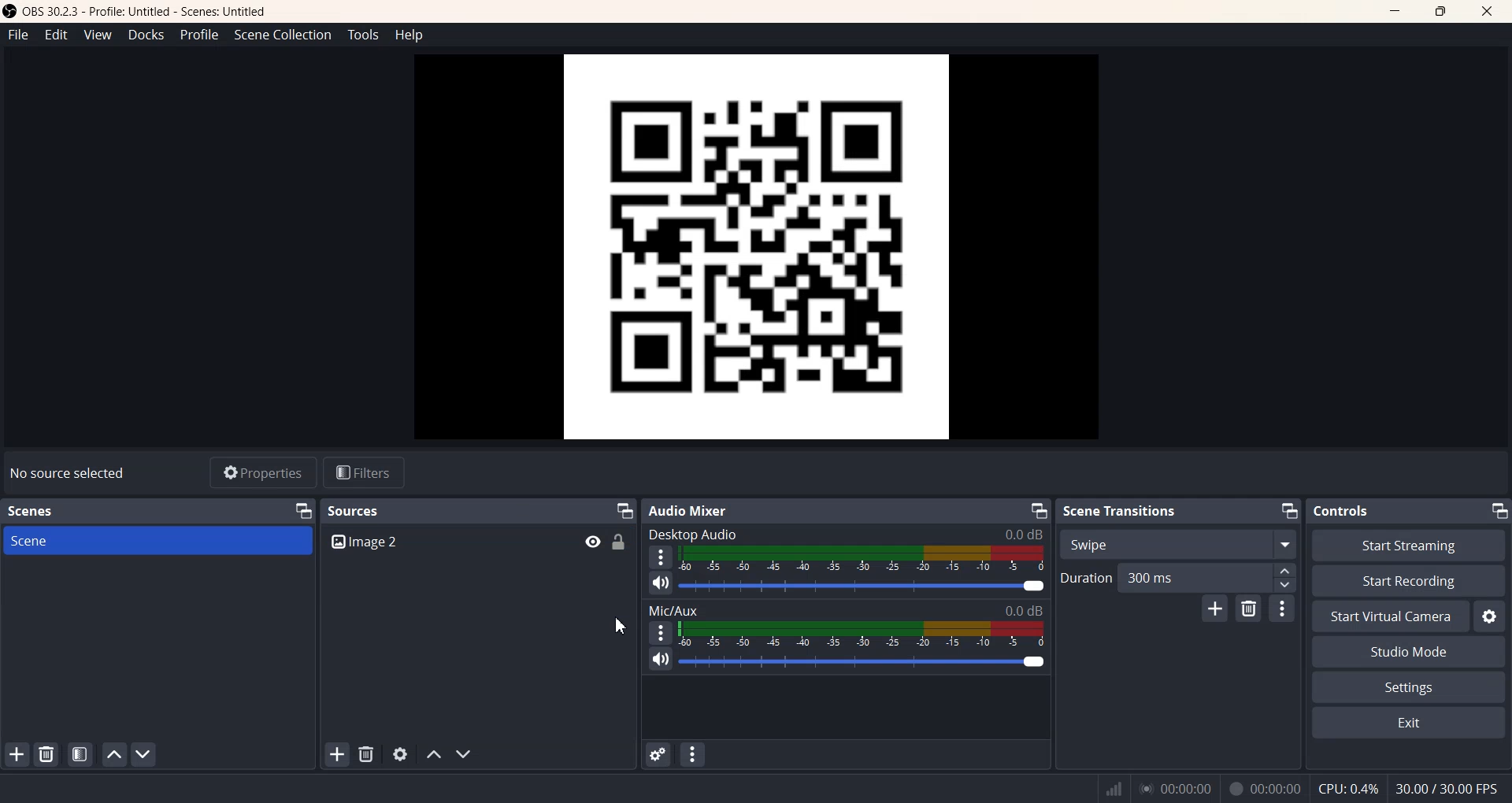 The image size is (1512, 803). I want to click on Add Sources, so click(338, 755).